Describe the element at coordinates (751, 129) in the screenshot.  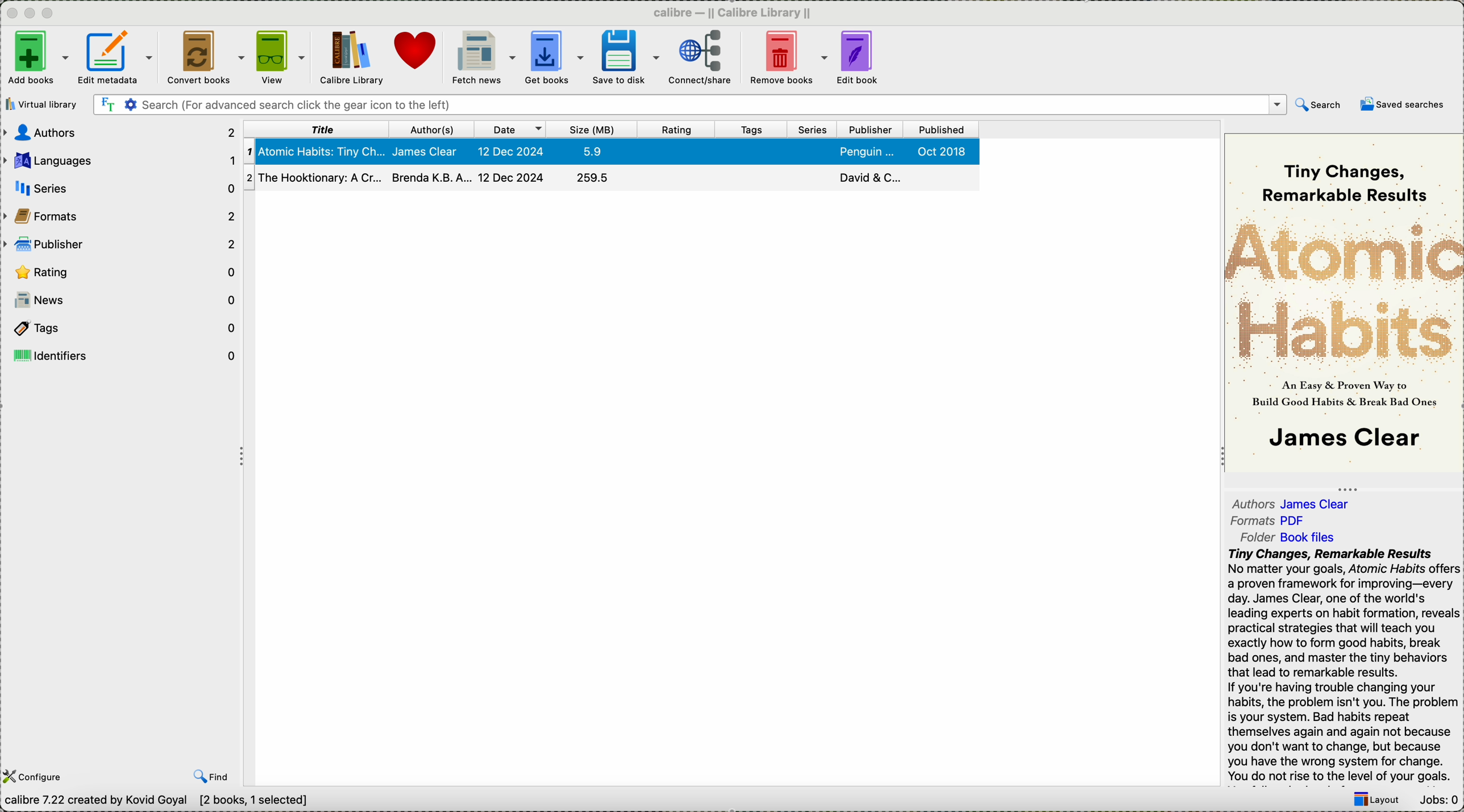
I see `tags` at that location.